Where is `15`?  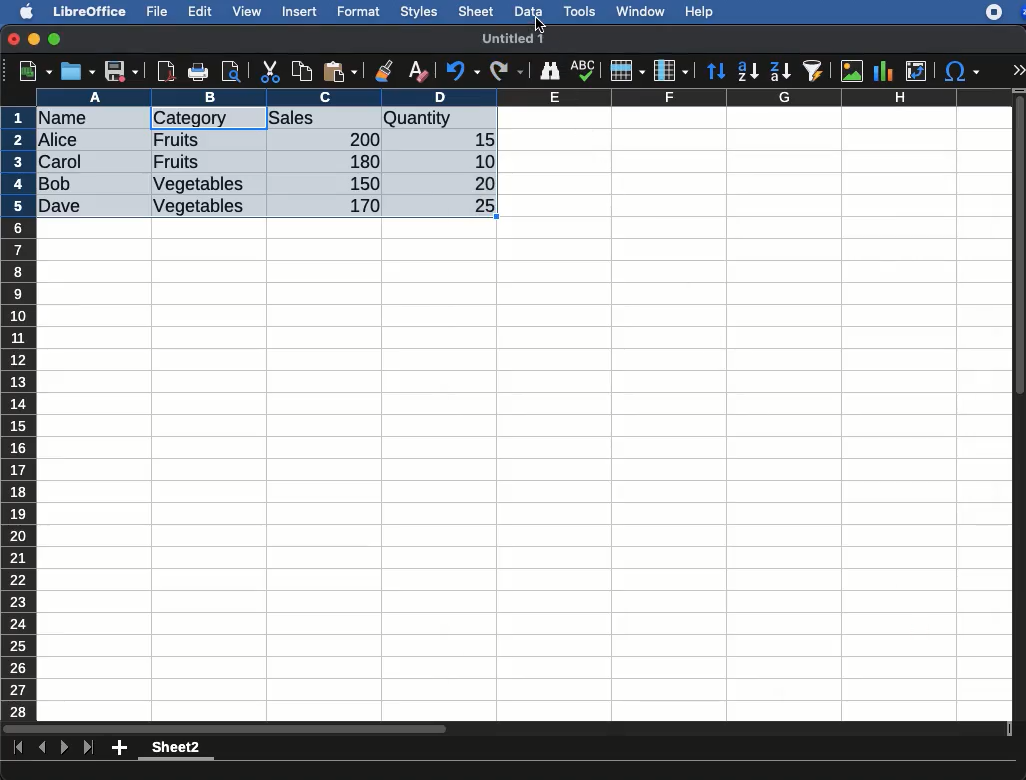
15 is located at coordinates (479, 140).